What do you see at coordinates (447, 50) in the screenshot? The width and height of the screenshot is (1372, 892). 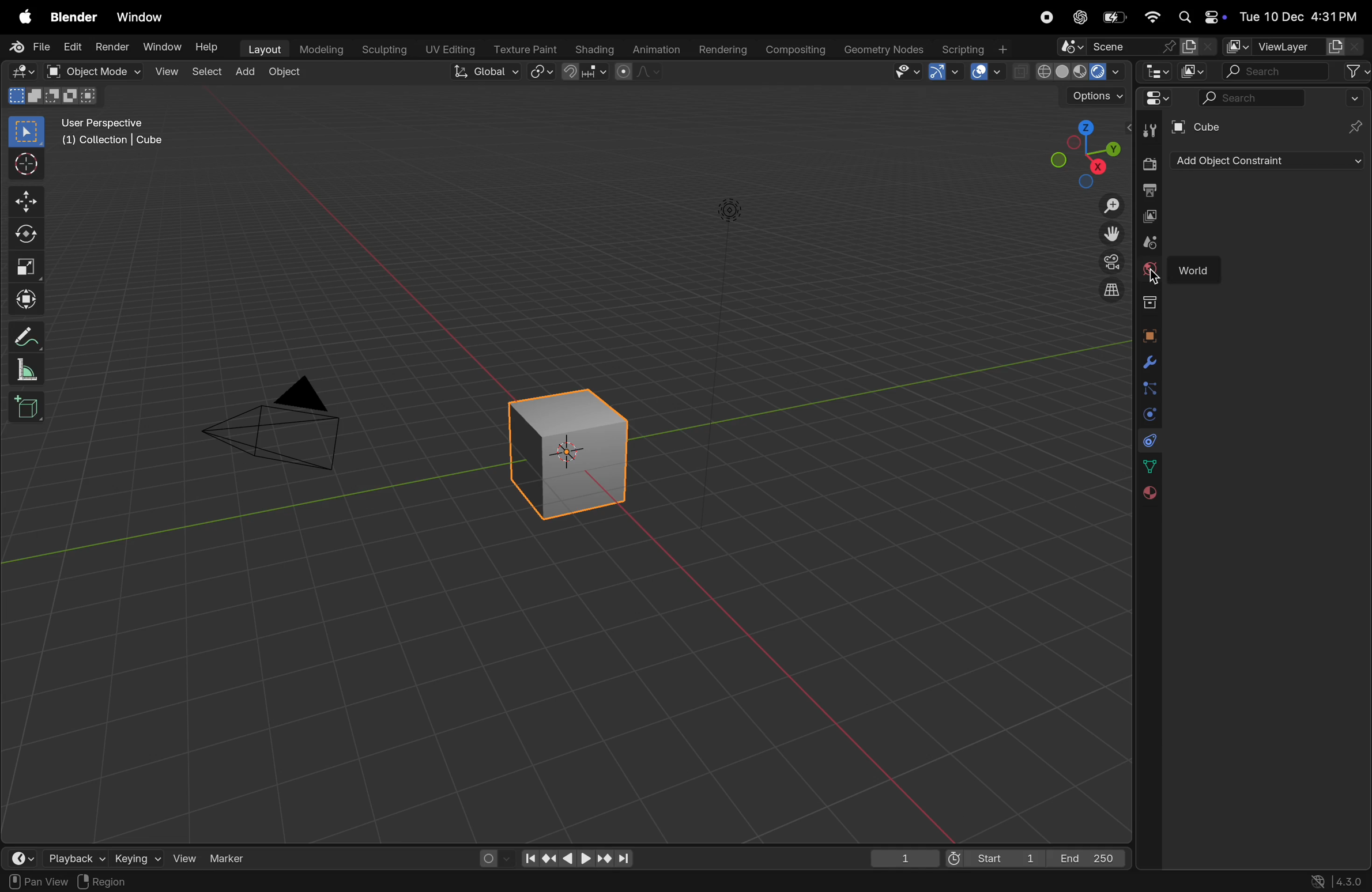 I see `UV editing` at bounding box center [447, 50].